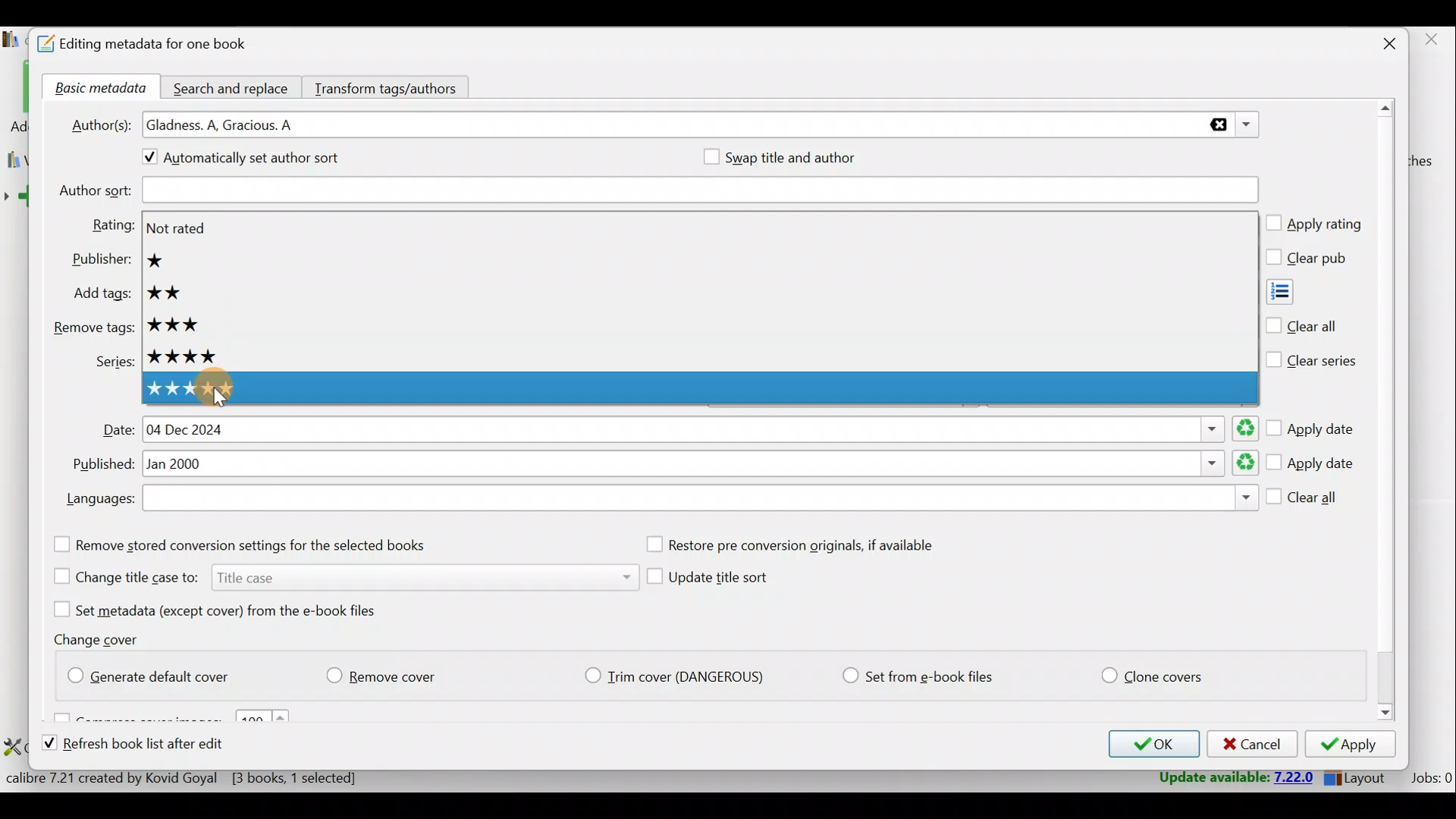 This screenshot has height=819, width=1456. What do you see at coordinates (168, 290) in the screenshot?
I see `2 star rating` at bounding box center [168, 290].